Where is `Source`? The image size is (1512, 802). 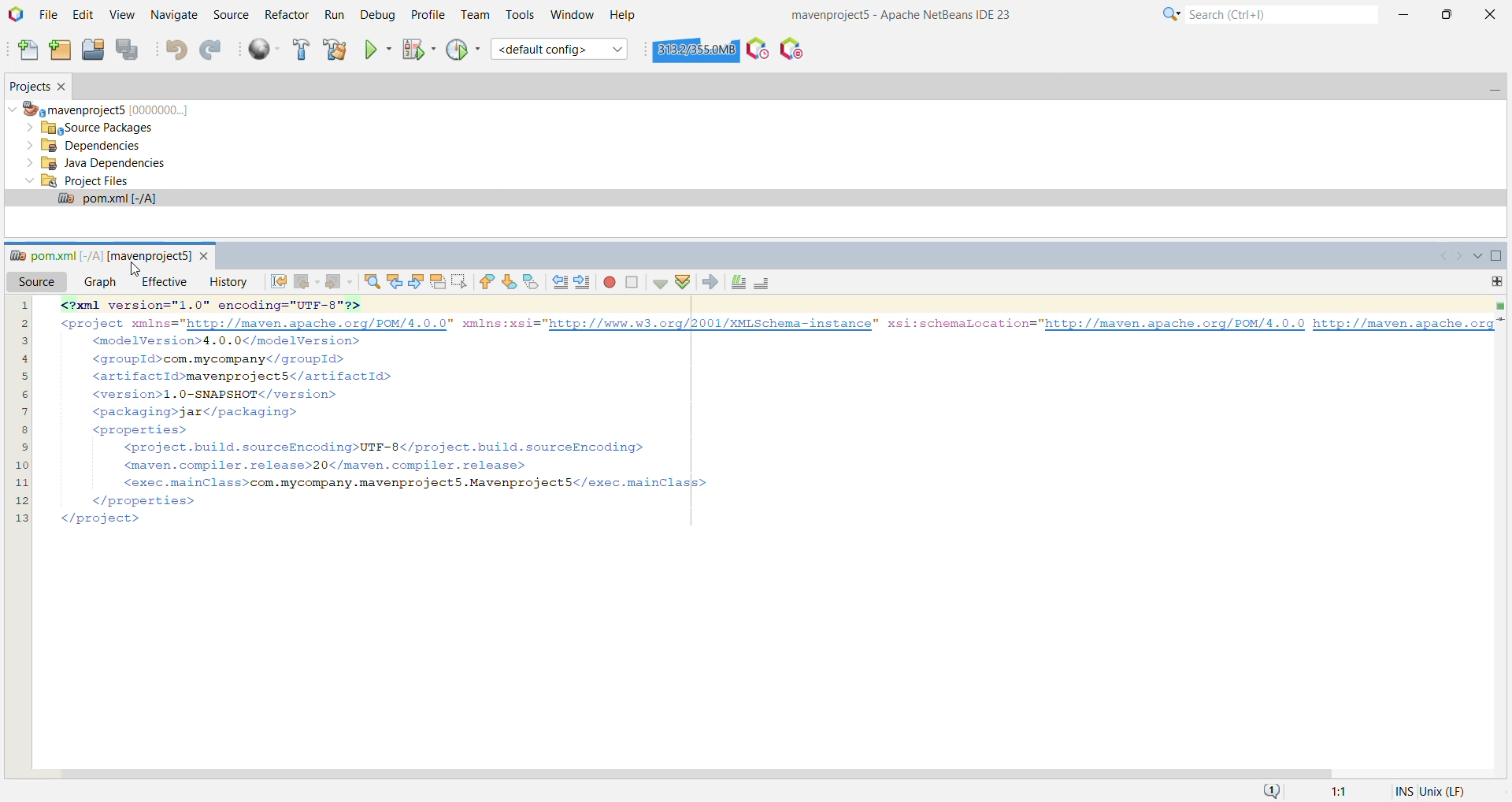
Source is located at coordinates (230, 15).